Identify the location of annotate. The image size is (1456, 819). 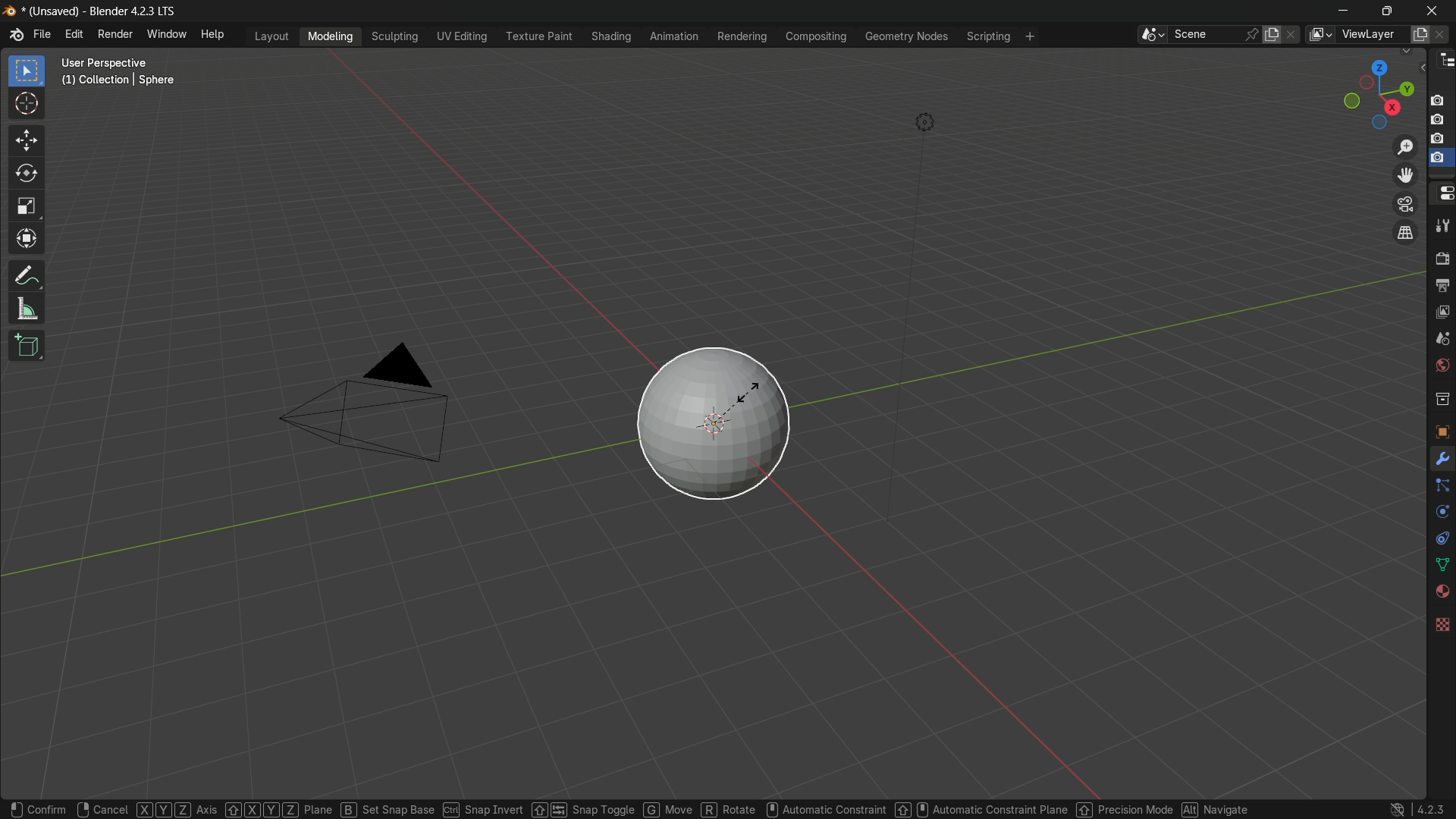
(27, 276).